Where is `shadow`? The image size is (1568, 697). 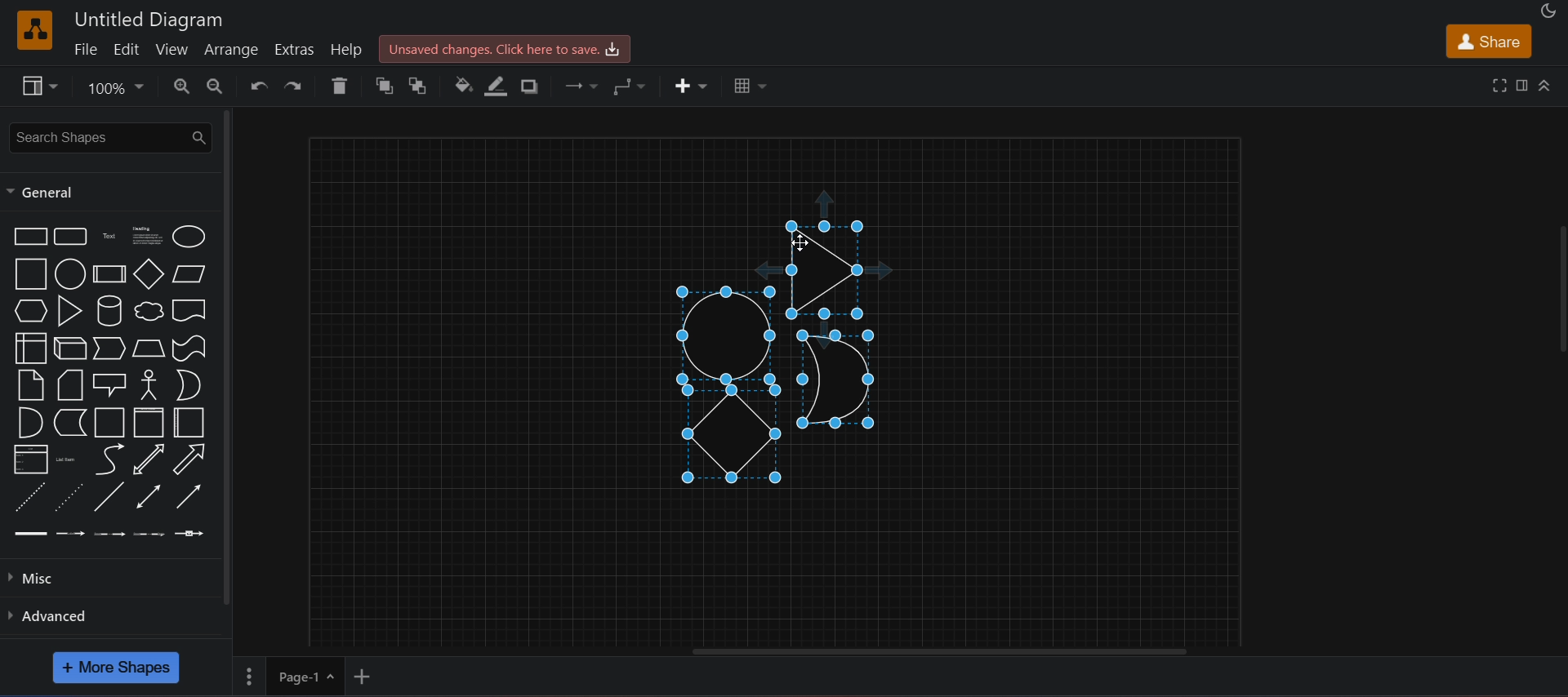
shadow is located at coordinates (534, 87).